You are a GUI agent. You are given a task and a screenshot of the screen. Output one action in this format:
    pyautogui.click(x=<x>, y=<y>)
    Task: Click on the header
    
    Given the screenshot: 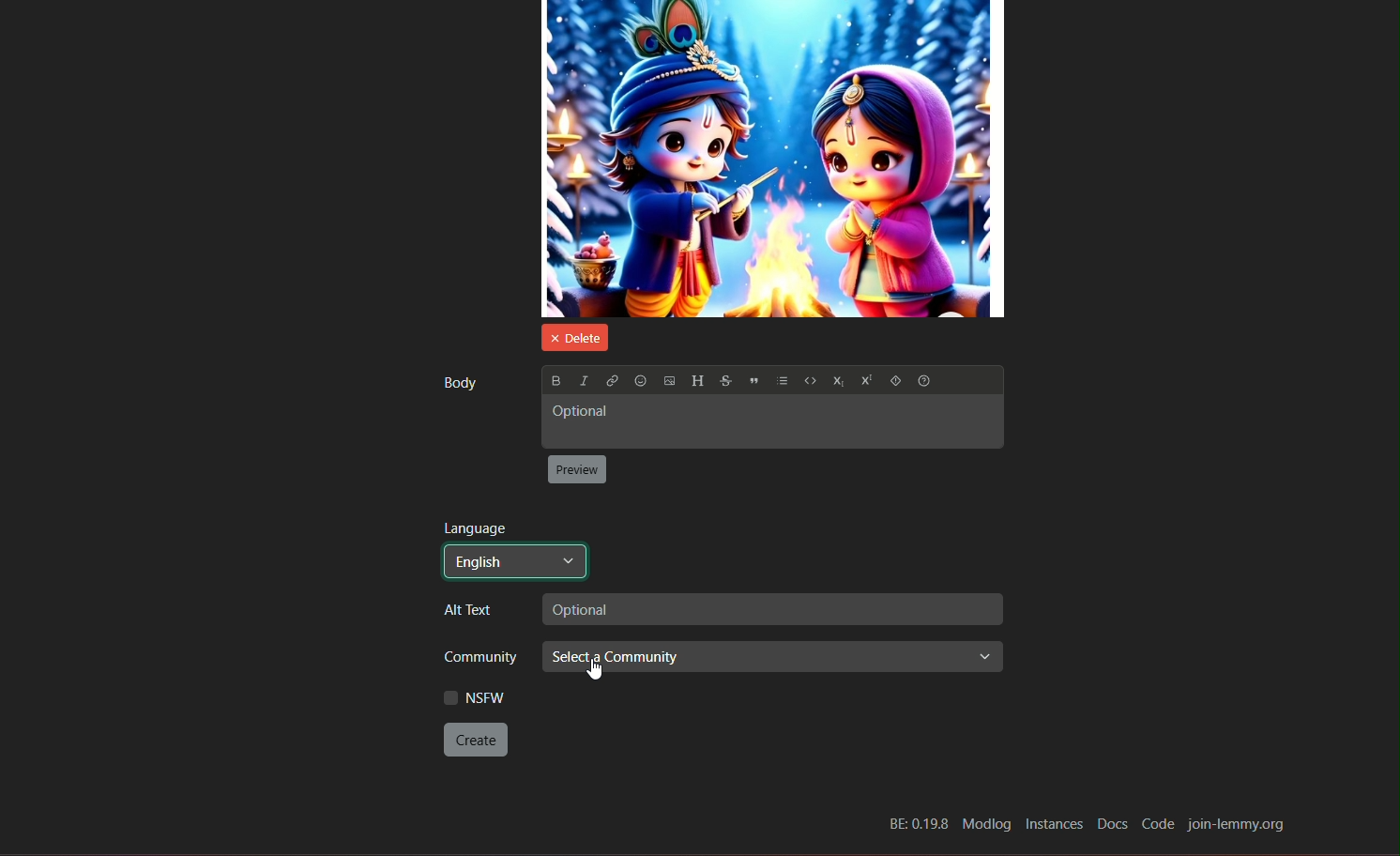 What is the action you would take?
    pyautogui.click(x=697, y=381)
    